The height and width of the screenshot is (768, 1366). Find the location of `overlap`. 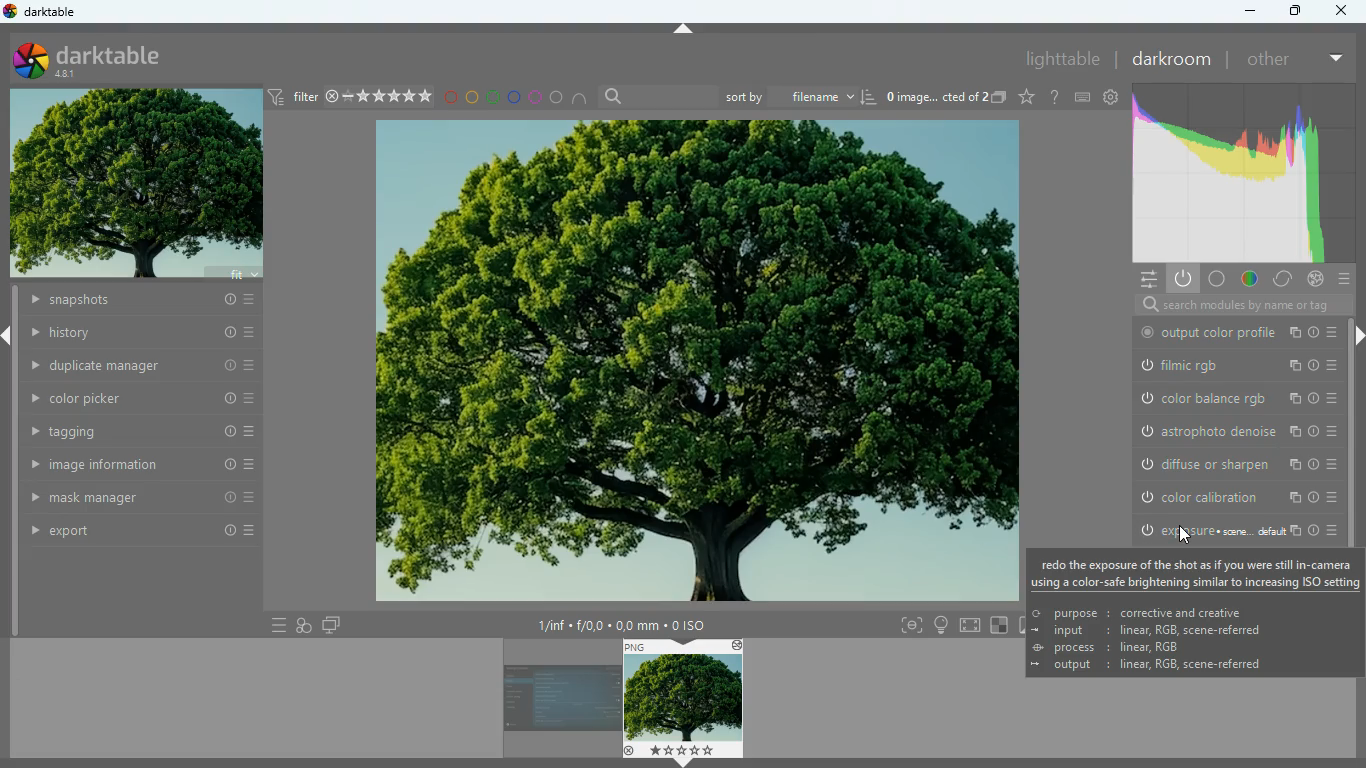

overlap is located at coordinates (305, 624).